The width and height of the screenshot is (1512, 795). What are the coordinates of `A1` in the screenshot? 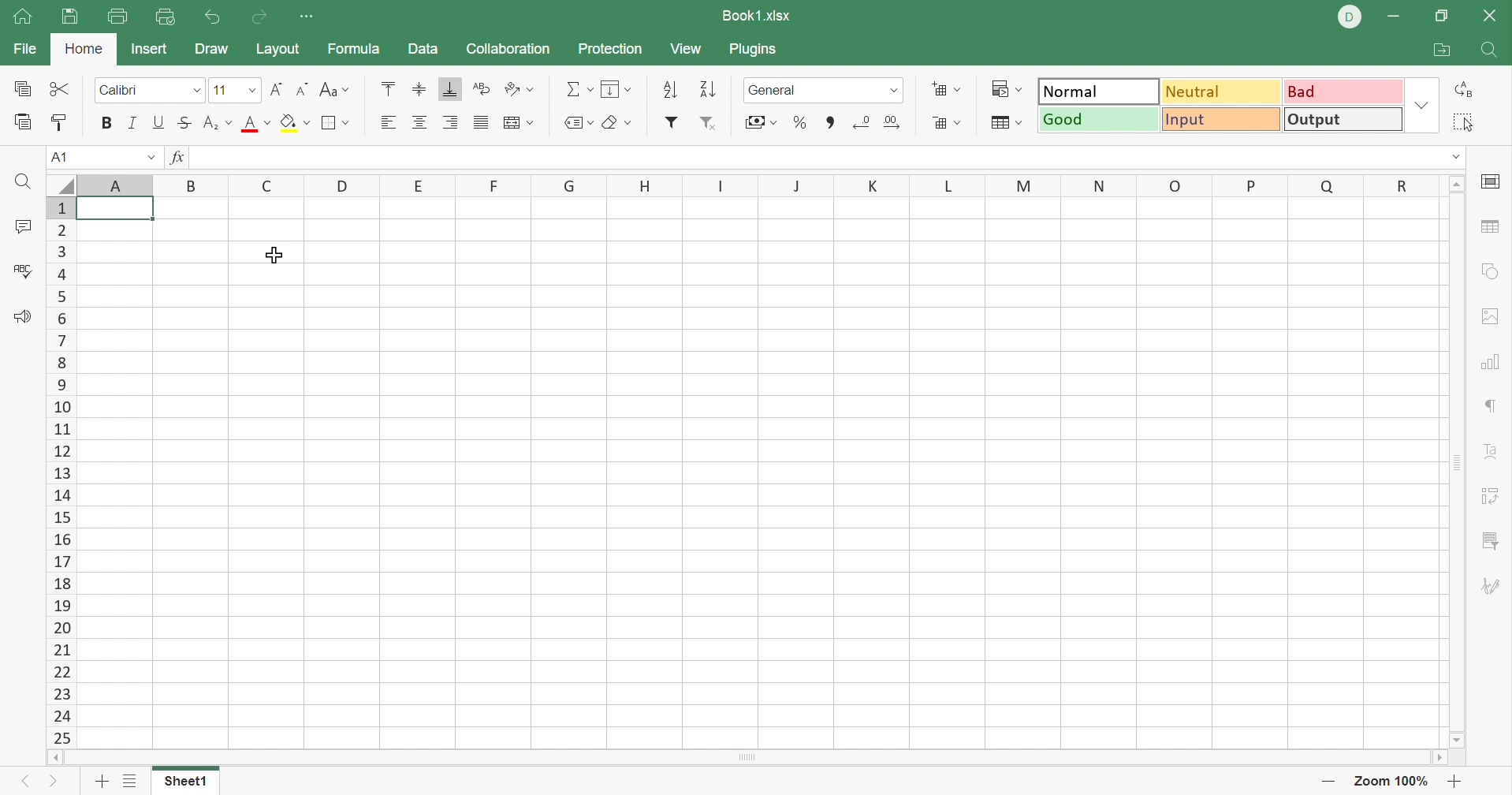 It's located at (58, 157).